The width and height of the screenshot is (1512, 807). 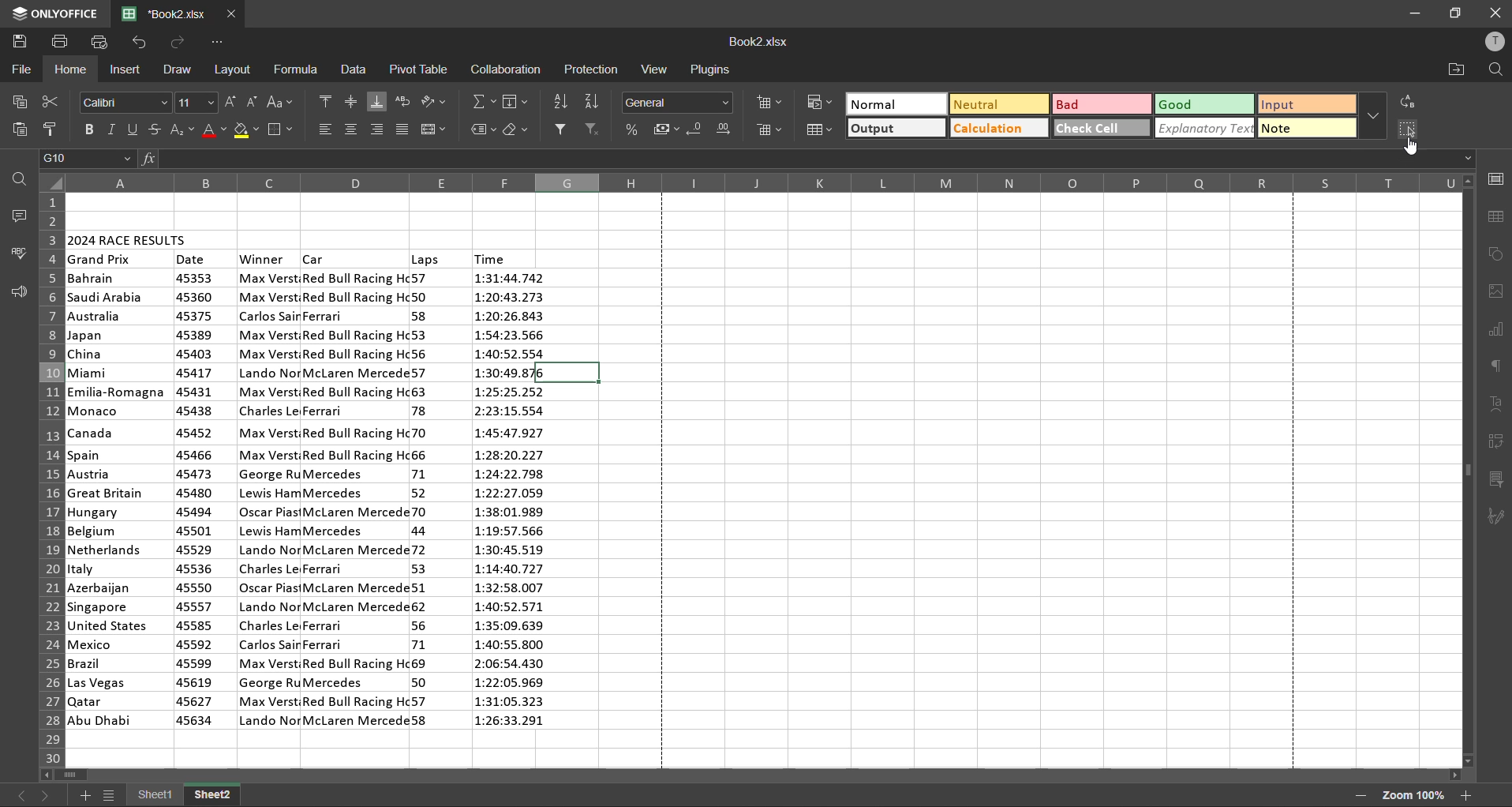 I want to click on filter, so click(x=563, y=129).